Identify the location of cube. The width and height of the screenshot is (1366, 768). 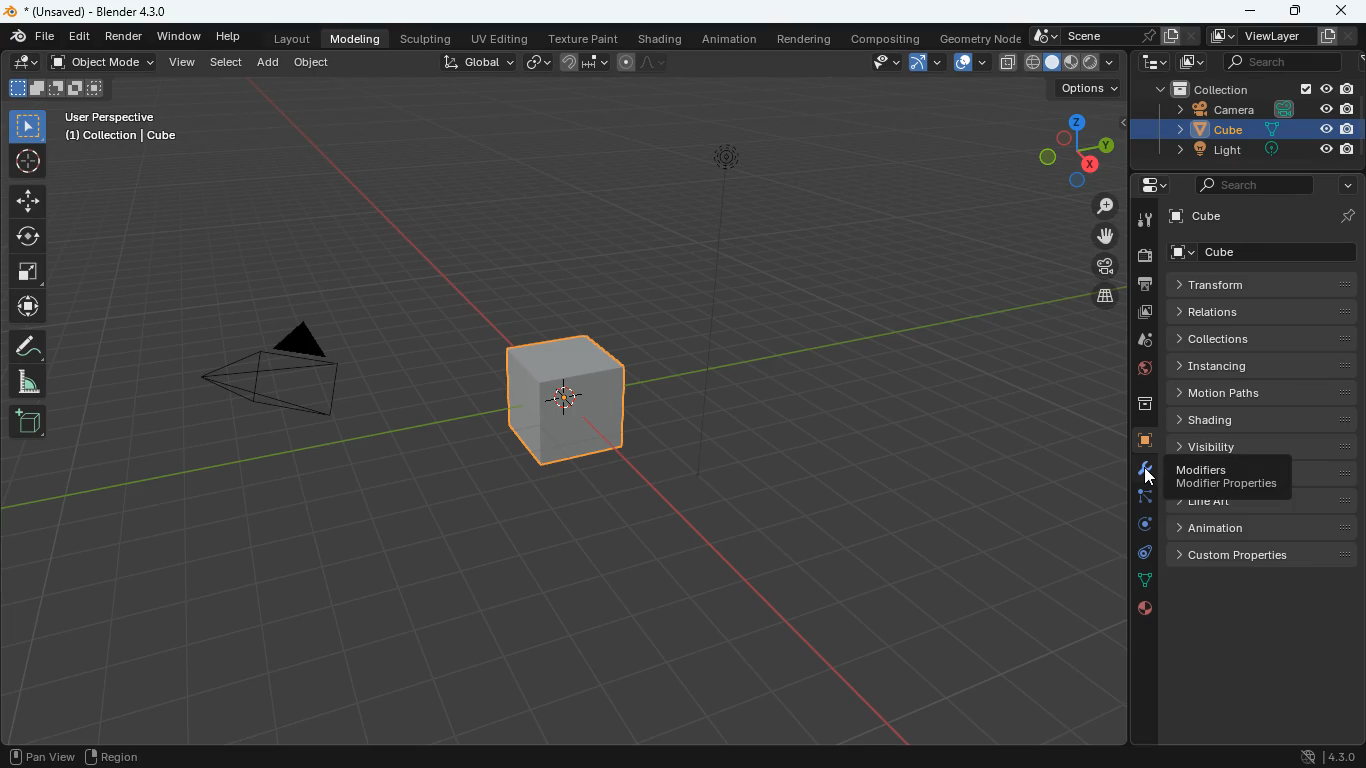
(1244, 130).